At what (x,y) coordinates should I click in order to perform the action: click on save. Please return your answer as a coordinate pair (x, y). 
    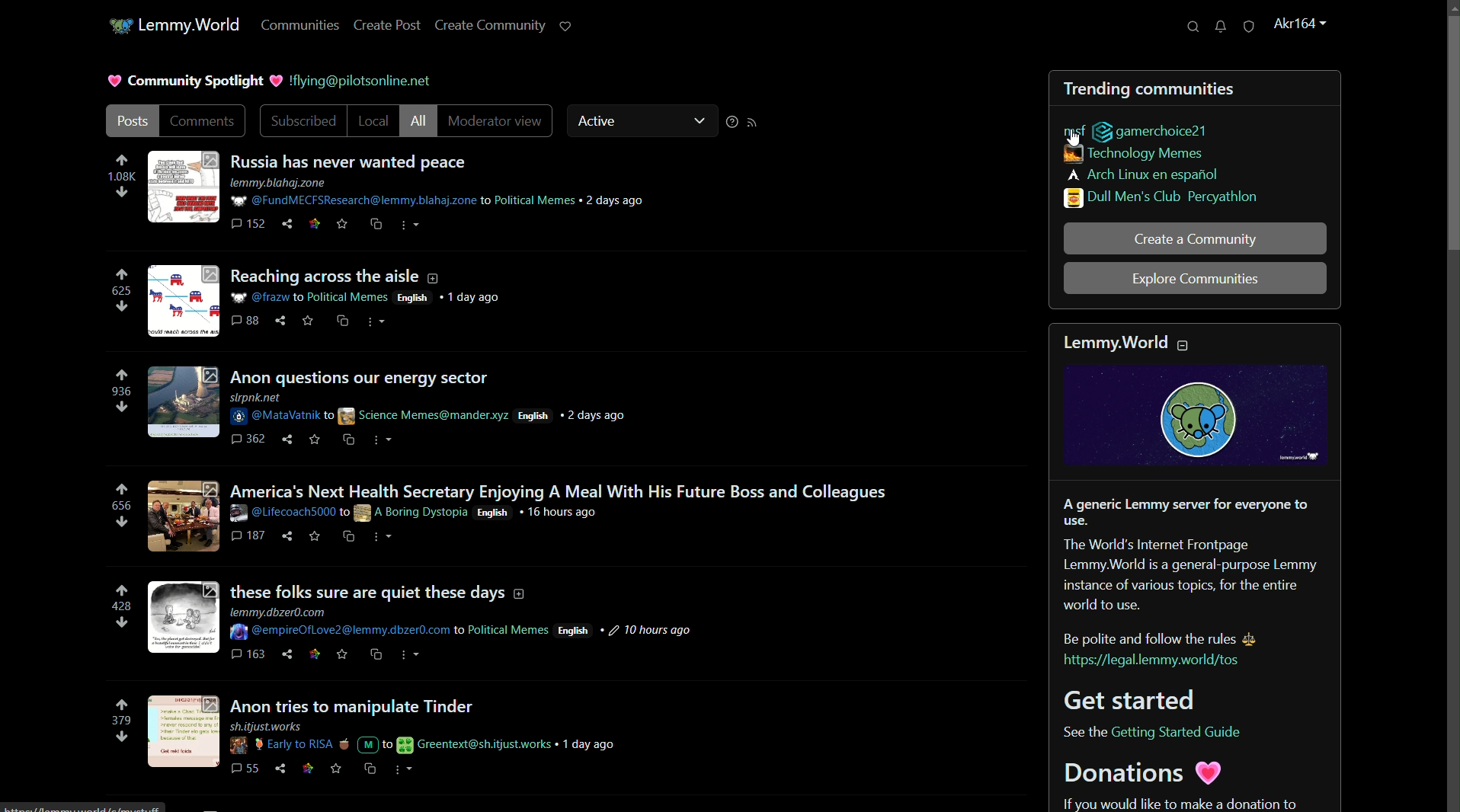
    Looking at the image, I should click on (342, 224).